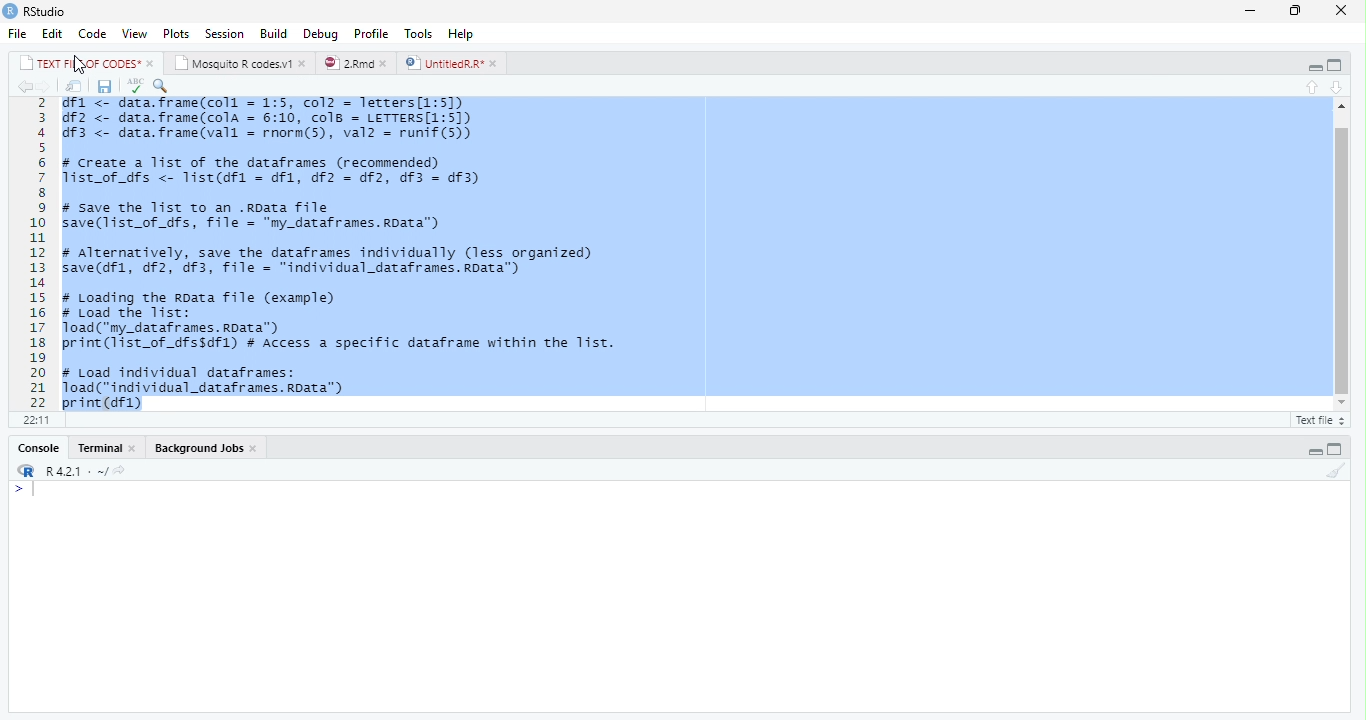  What do you see at coordinates (74, 87) in the screenshot?
I see `Open in new window` at bounding box center [74, 87].